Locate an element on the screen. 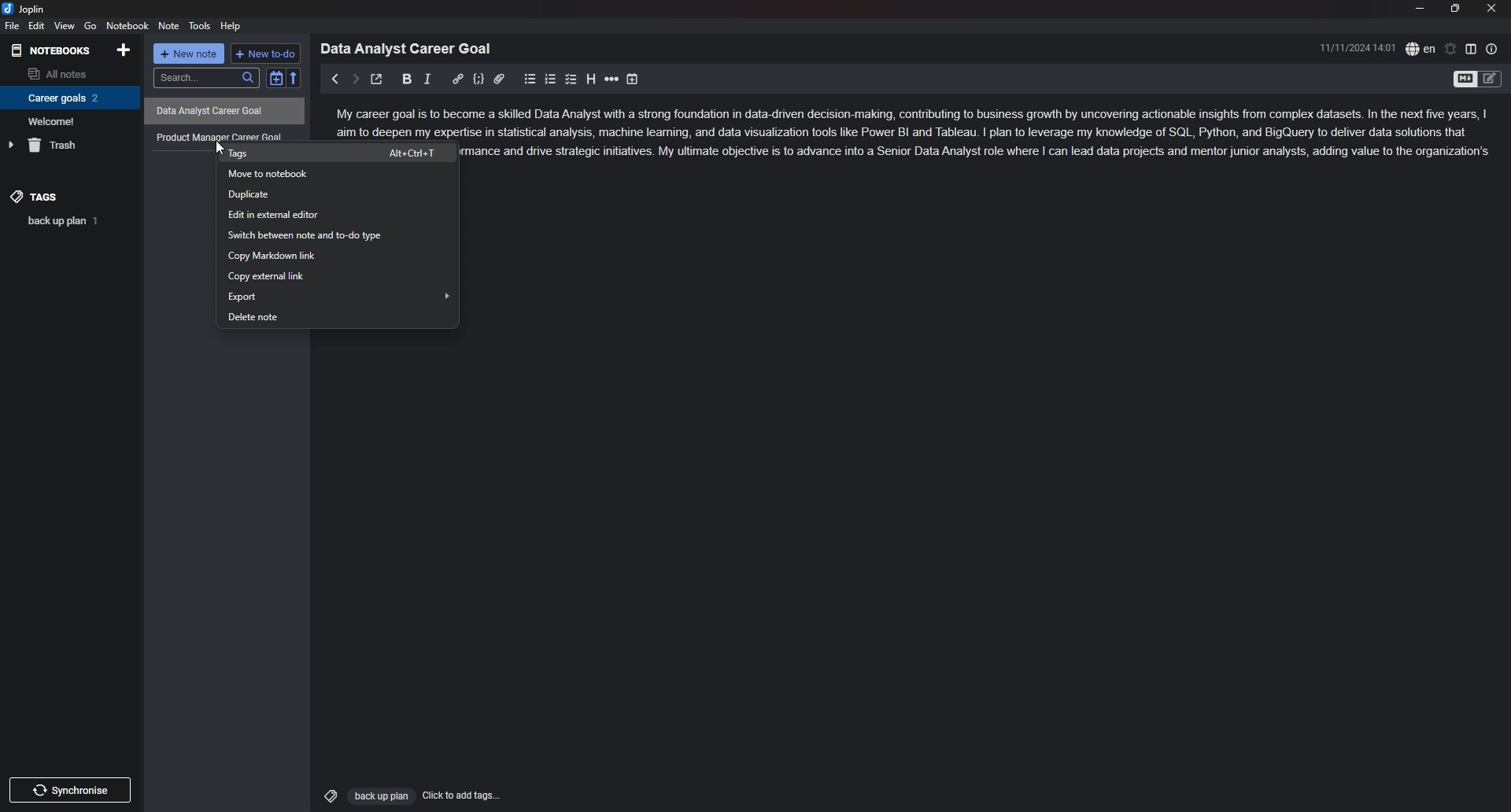 Image resolution: width=1511 pixels, height=812 pixels. back up plan 1 is located at coordinates (72, 220).